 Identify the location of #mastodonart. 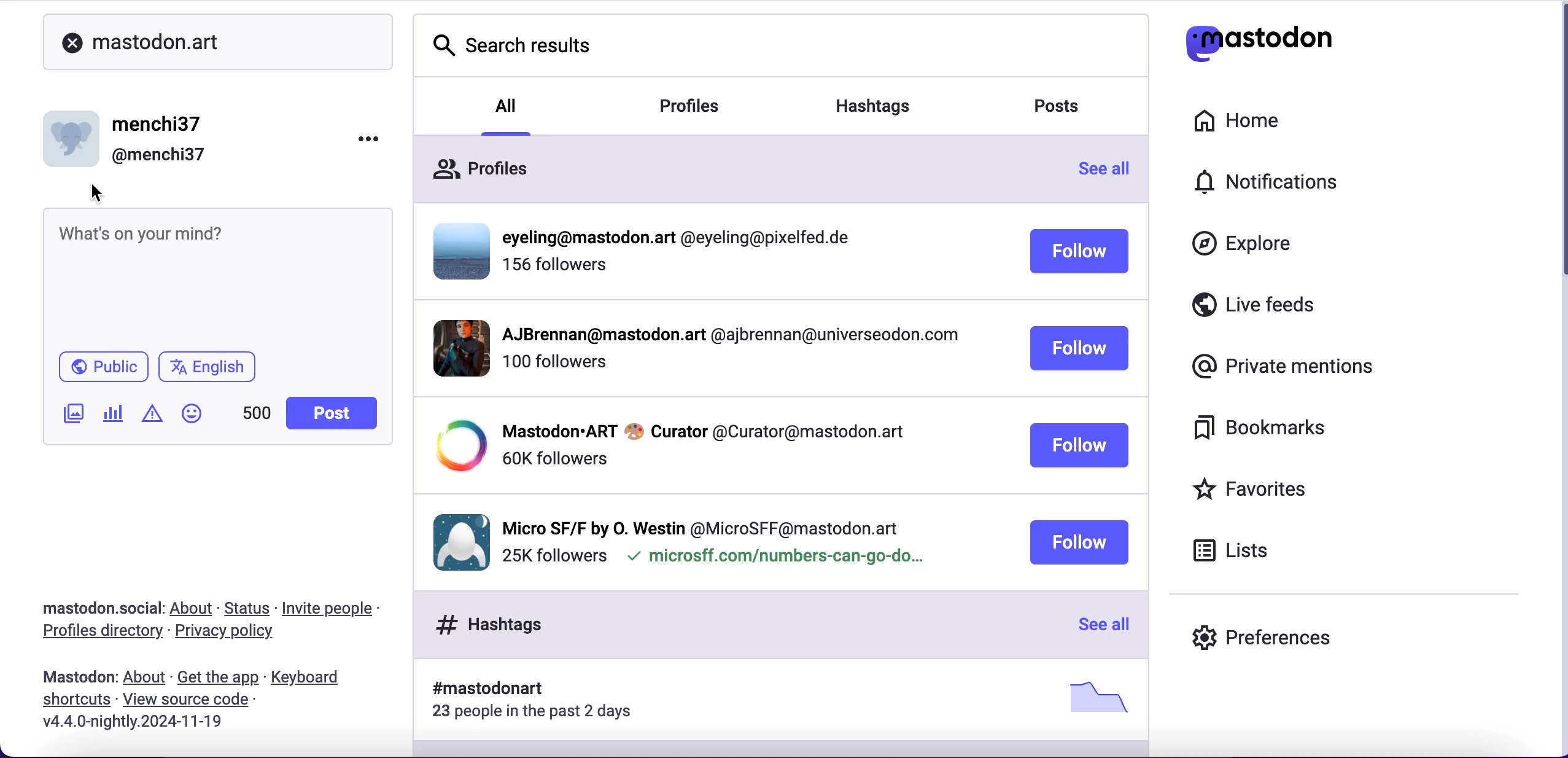
(774, 700).